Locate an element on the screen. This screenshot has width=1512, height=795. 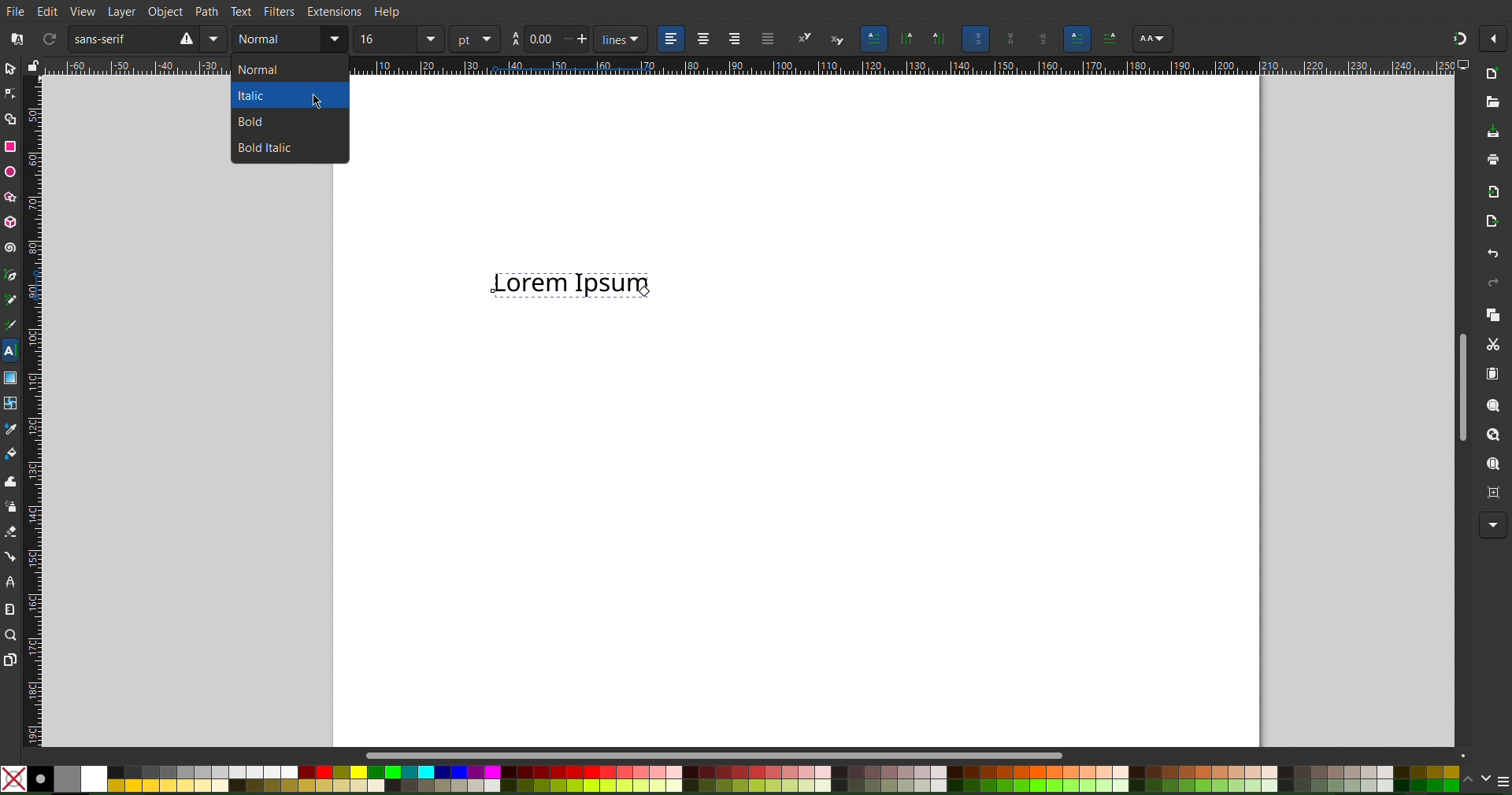
Vertical Text, Right to Left is located at coordinates (906, 40).